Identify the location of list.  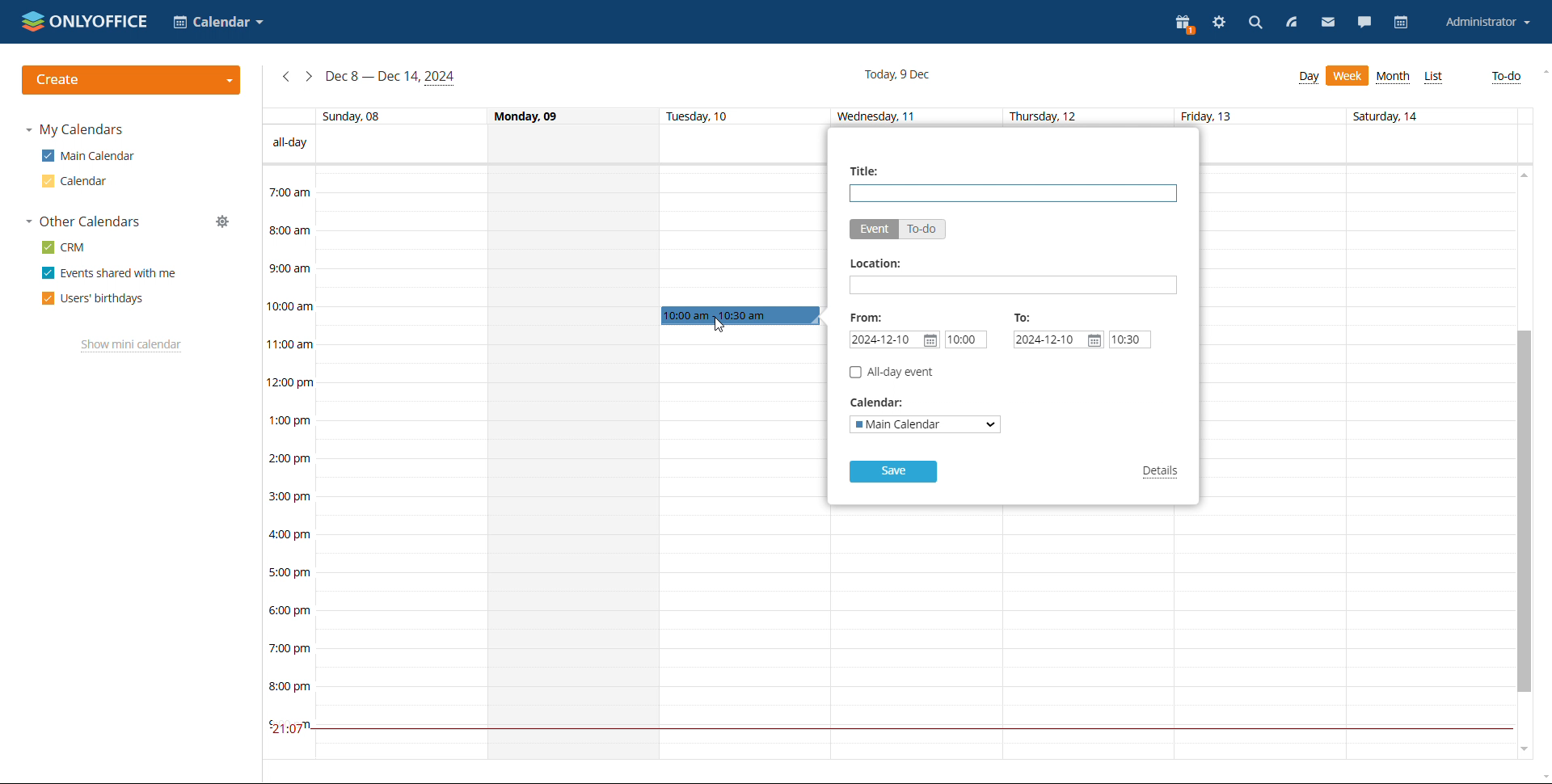
(1434, 77).